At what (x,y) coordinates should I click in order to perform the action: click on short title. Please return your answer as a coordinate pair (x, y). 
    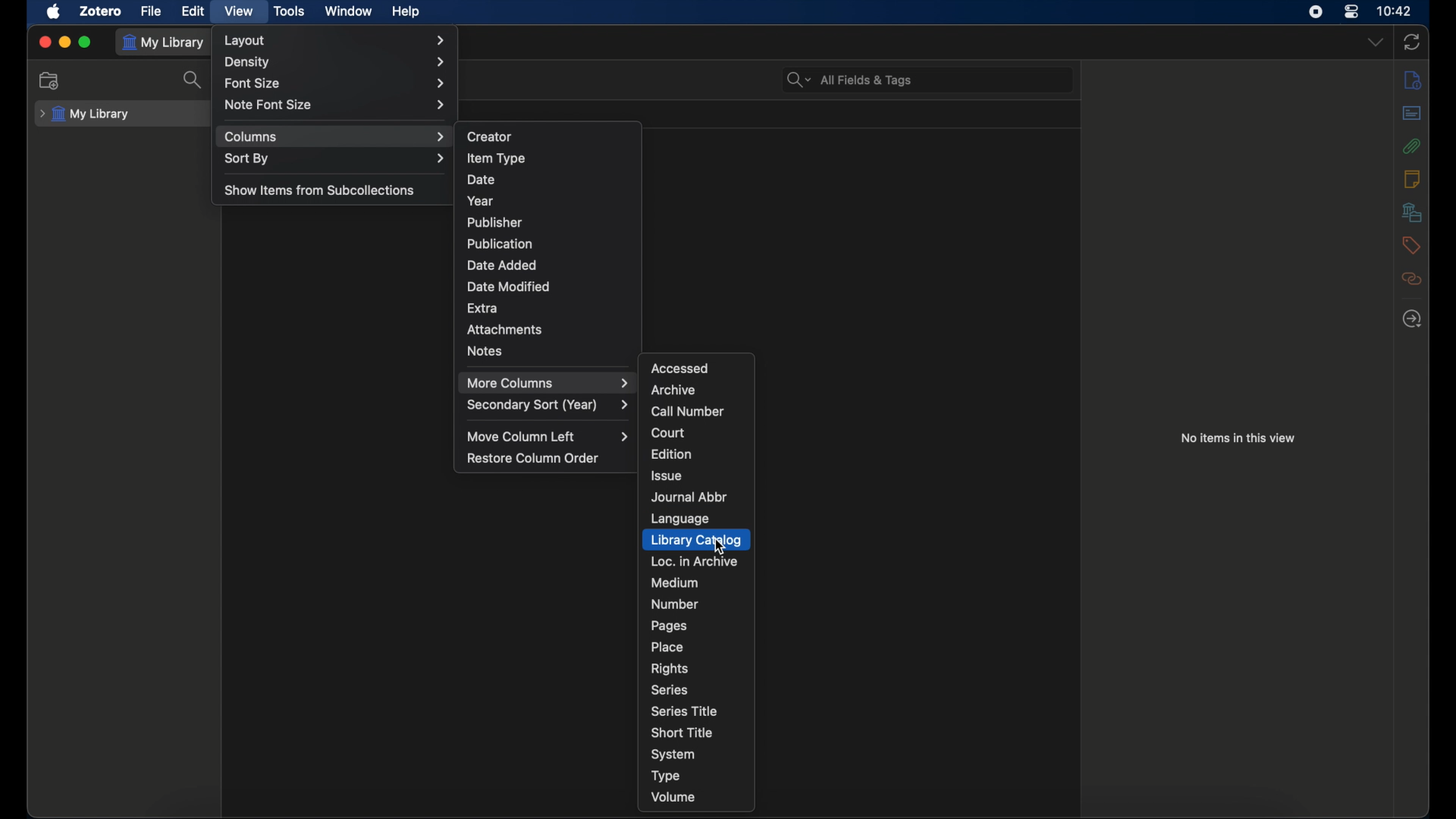
    Looking at the image, I should click on (682, 732).